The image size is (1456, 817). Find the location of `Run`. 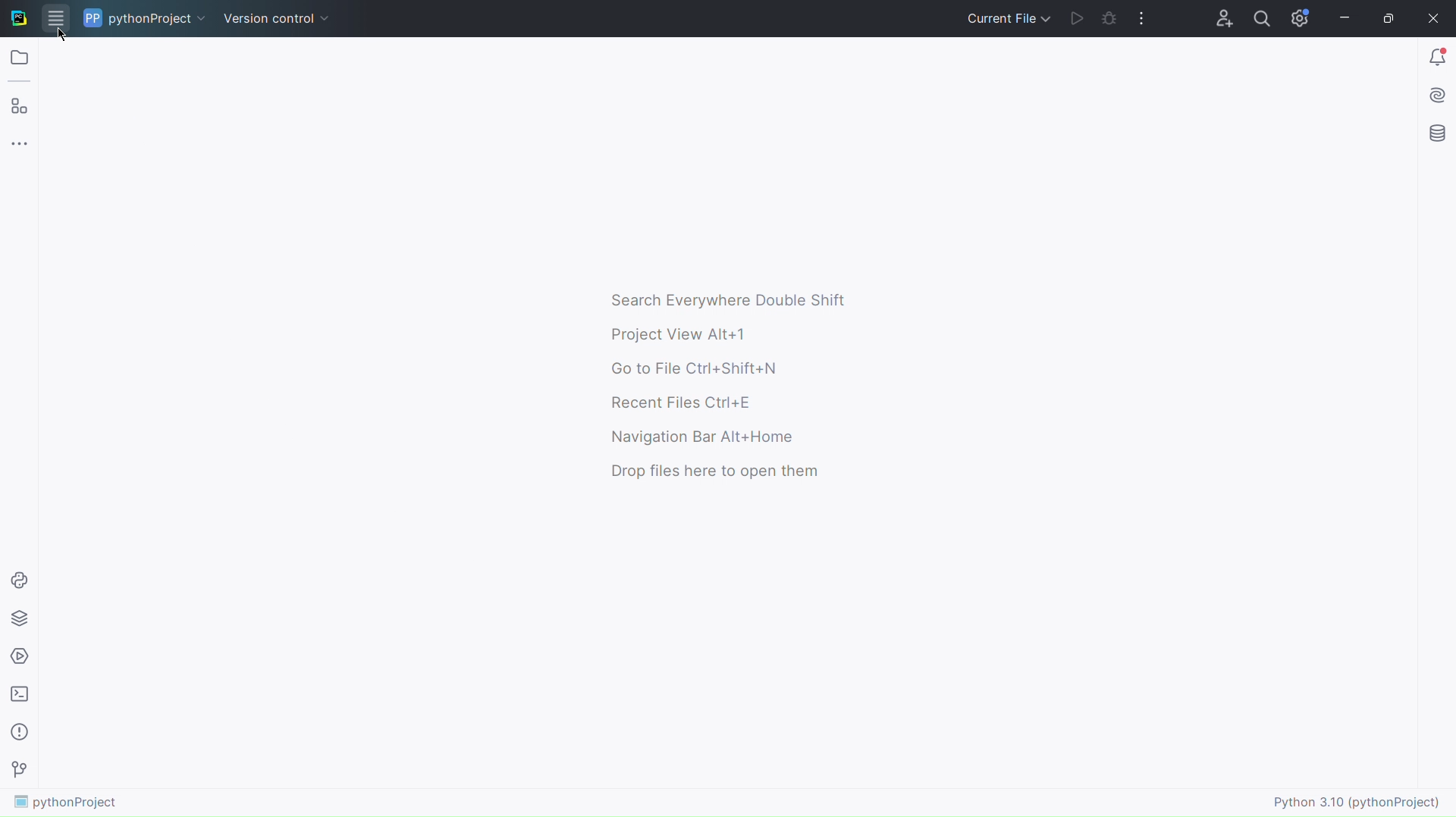

Run is located at coordinates (1079, 18).